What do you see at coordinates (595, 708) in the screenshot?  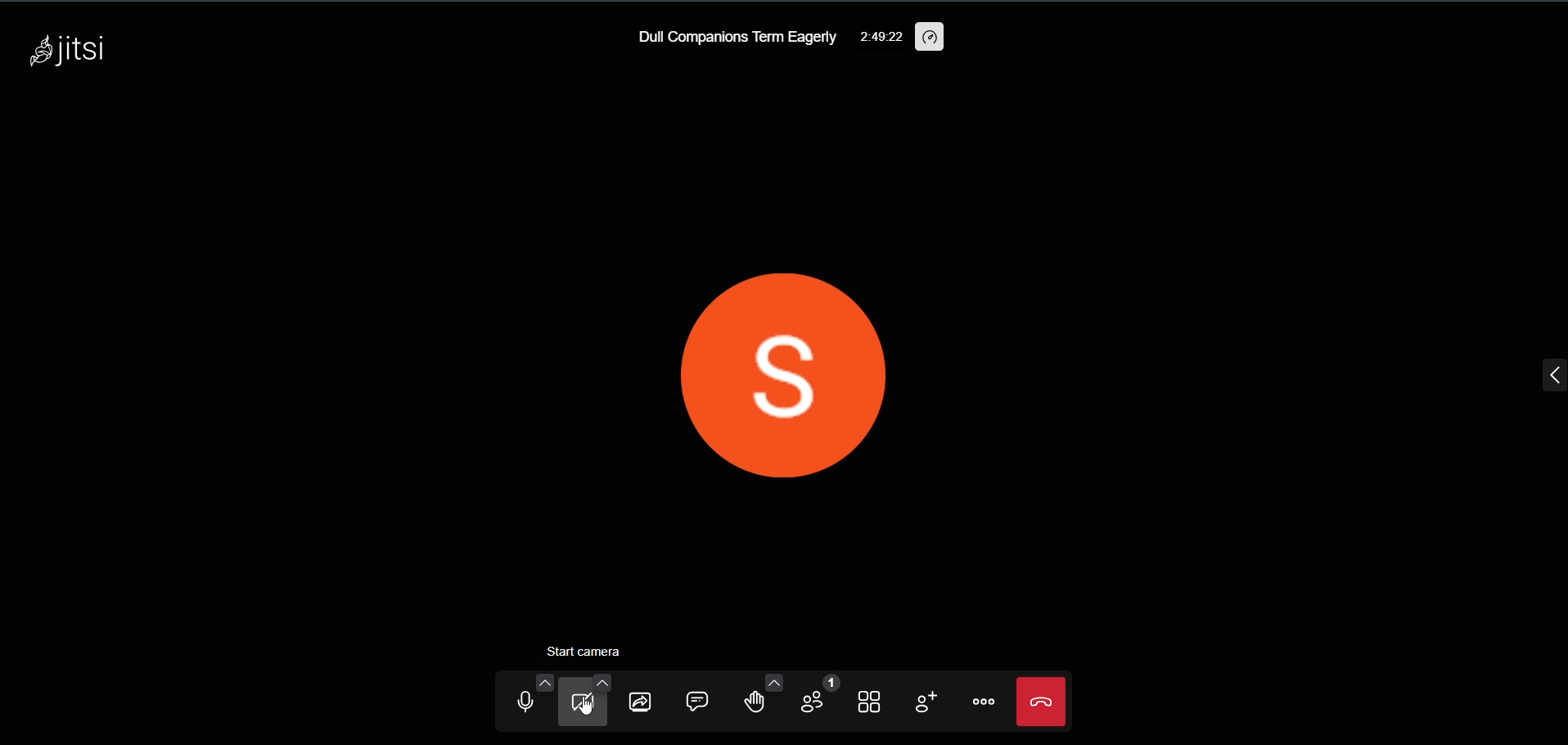 I see `curosr` at bounding box center [595, 708].